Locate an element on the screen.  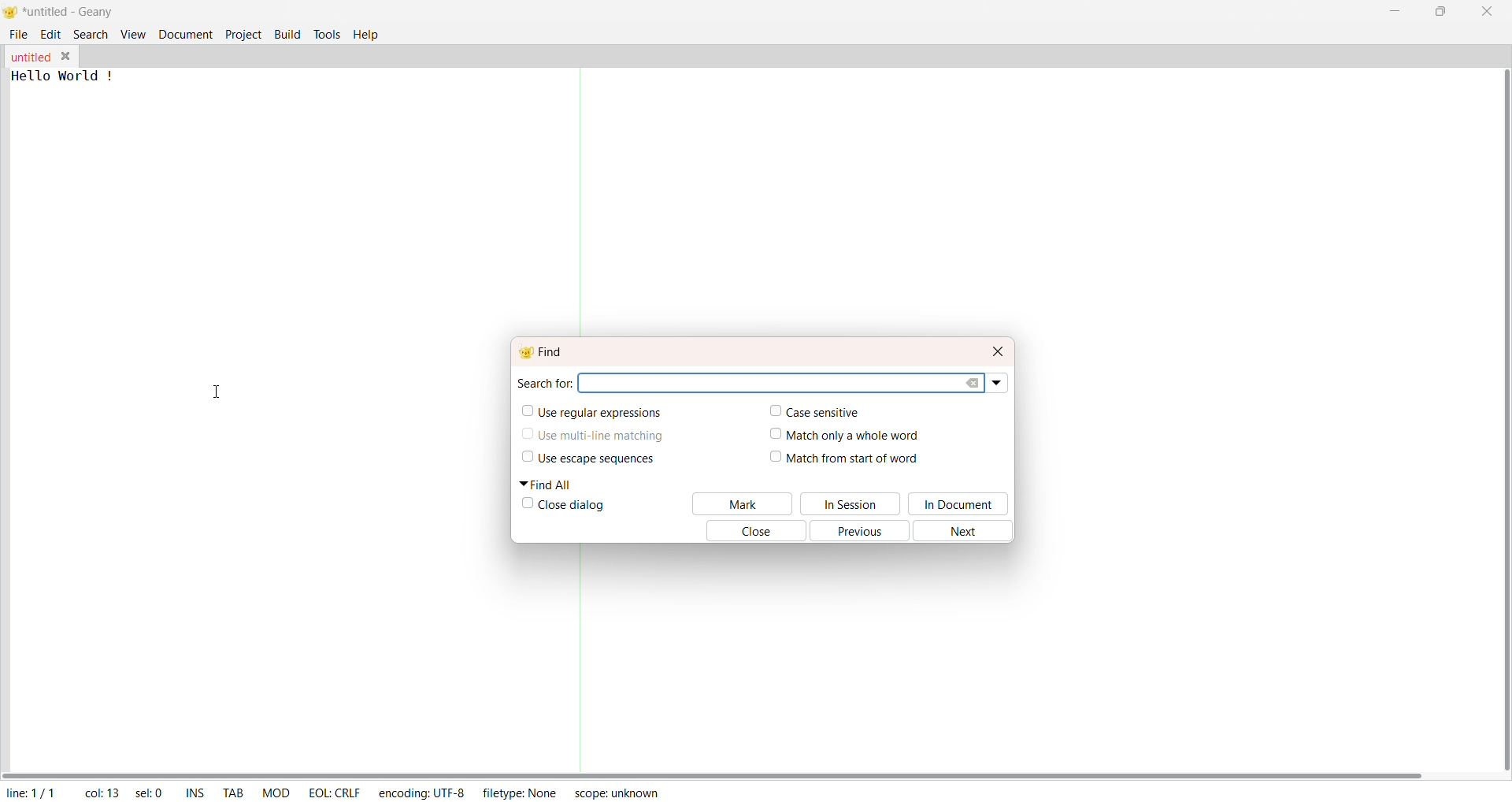
Vertical Horizontal Bar is located at coordinates (1492, 411).